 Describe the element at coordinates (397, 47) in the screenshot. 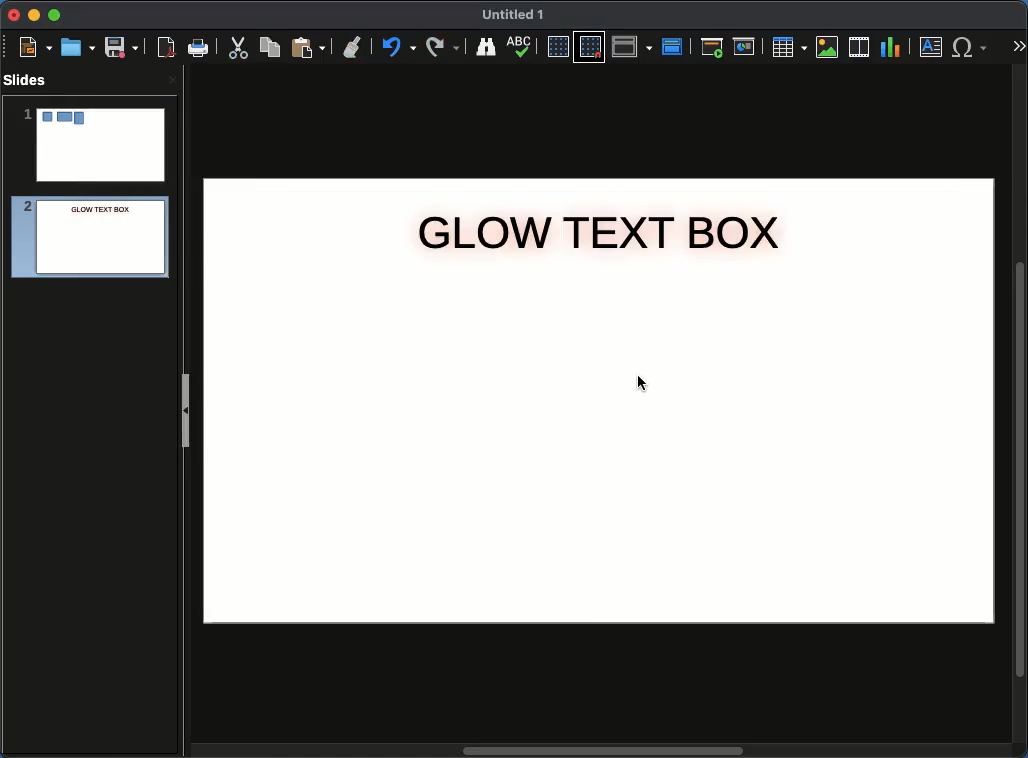

I see `Undo` at that location.